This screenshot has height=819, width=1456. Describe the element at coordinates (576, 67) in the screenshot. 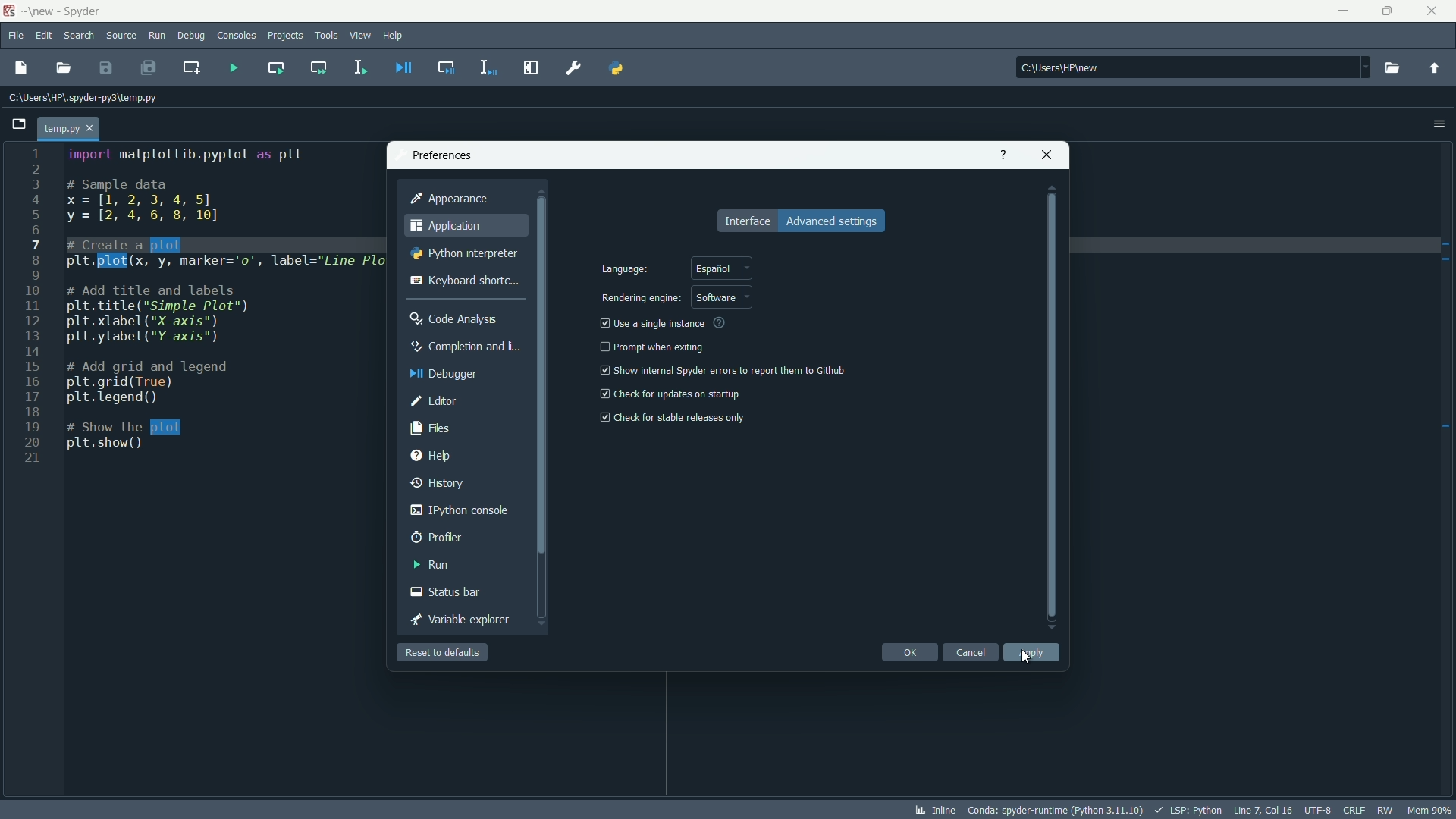

I see `preferences` at that location.